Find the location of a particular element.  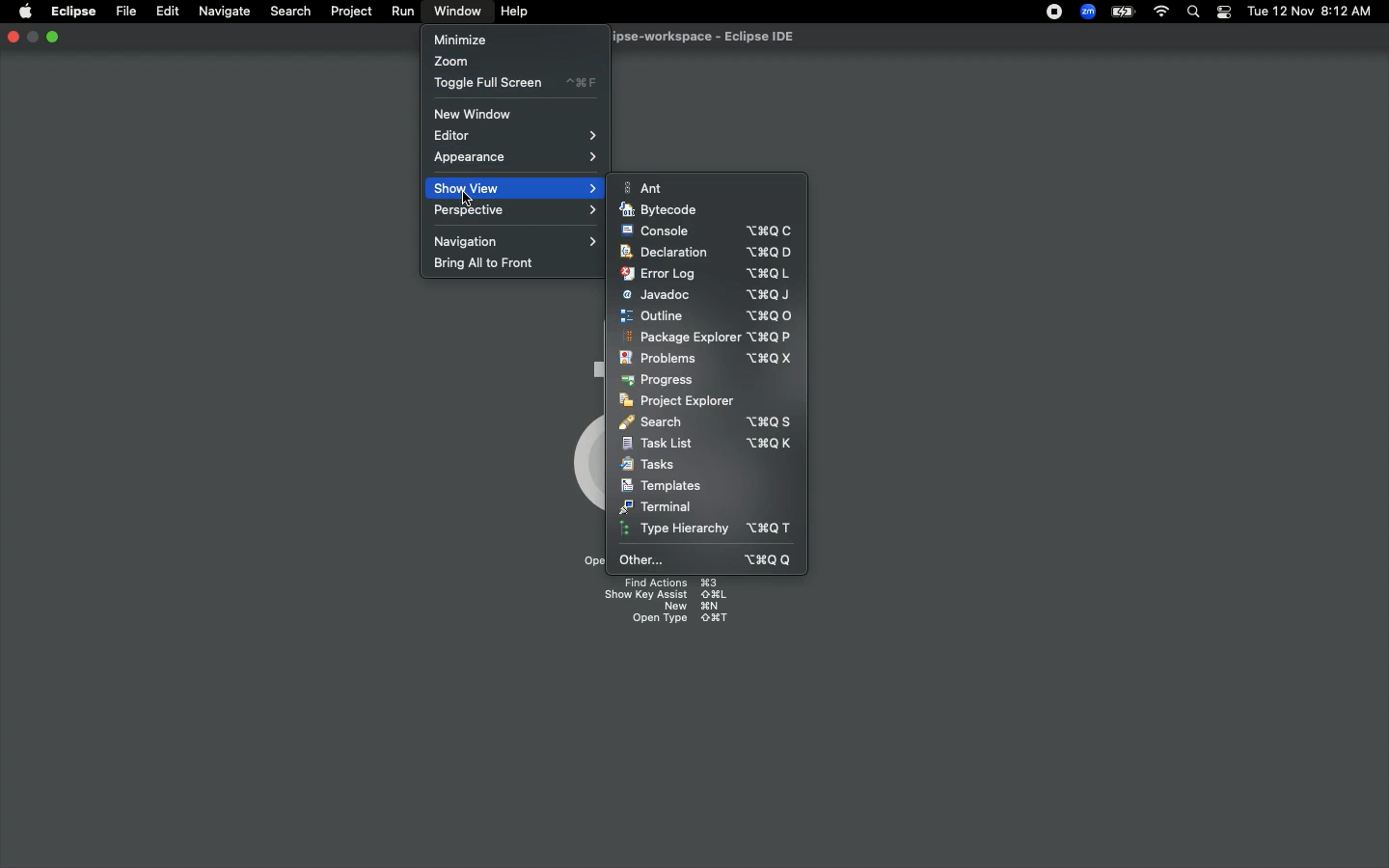

Run is located at coordinates (399, 11).